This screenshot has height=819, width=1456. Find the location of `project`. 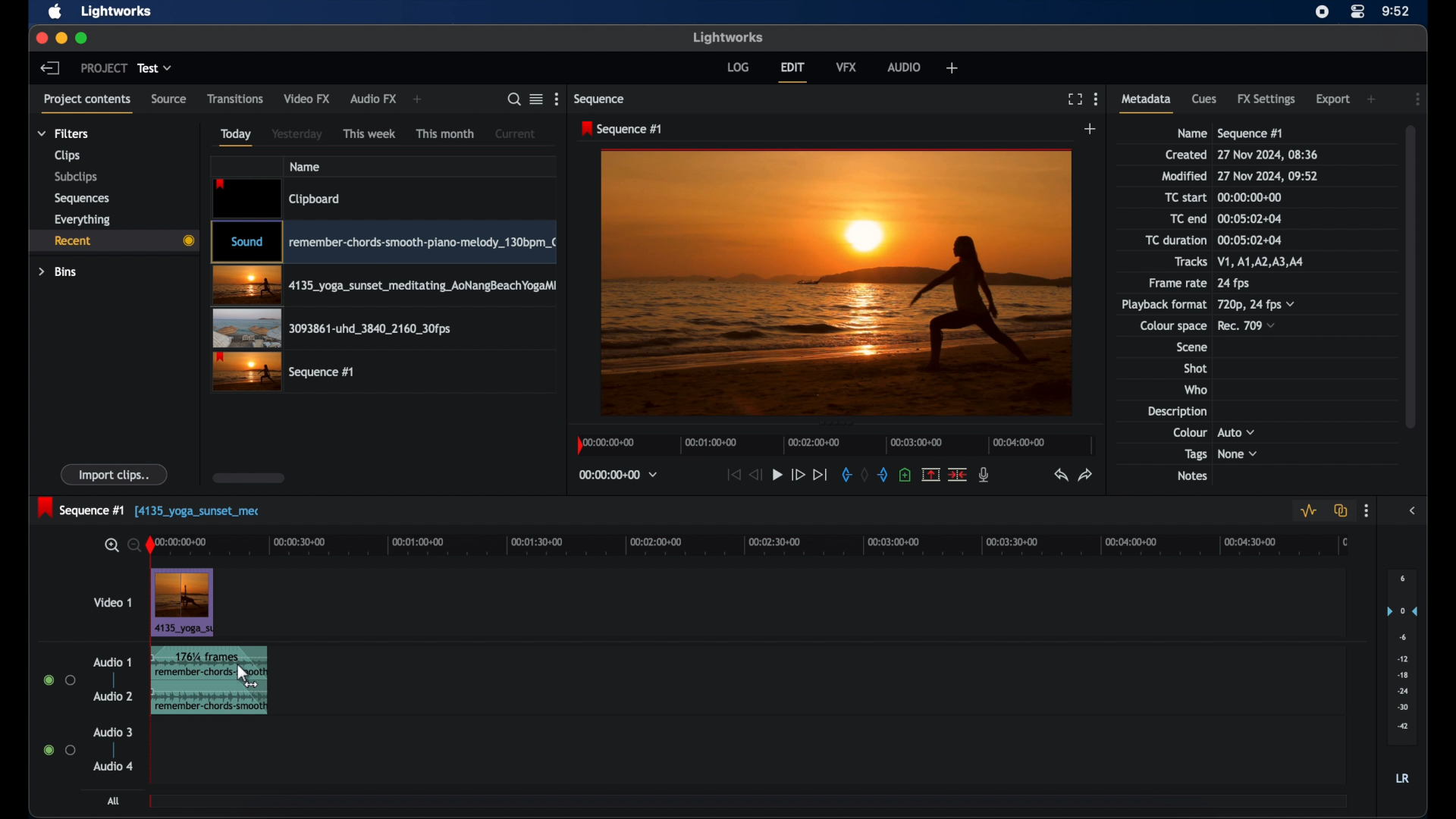

project is located at coordinates (103, 67).